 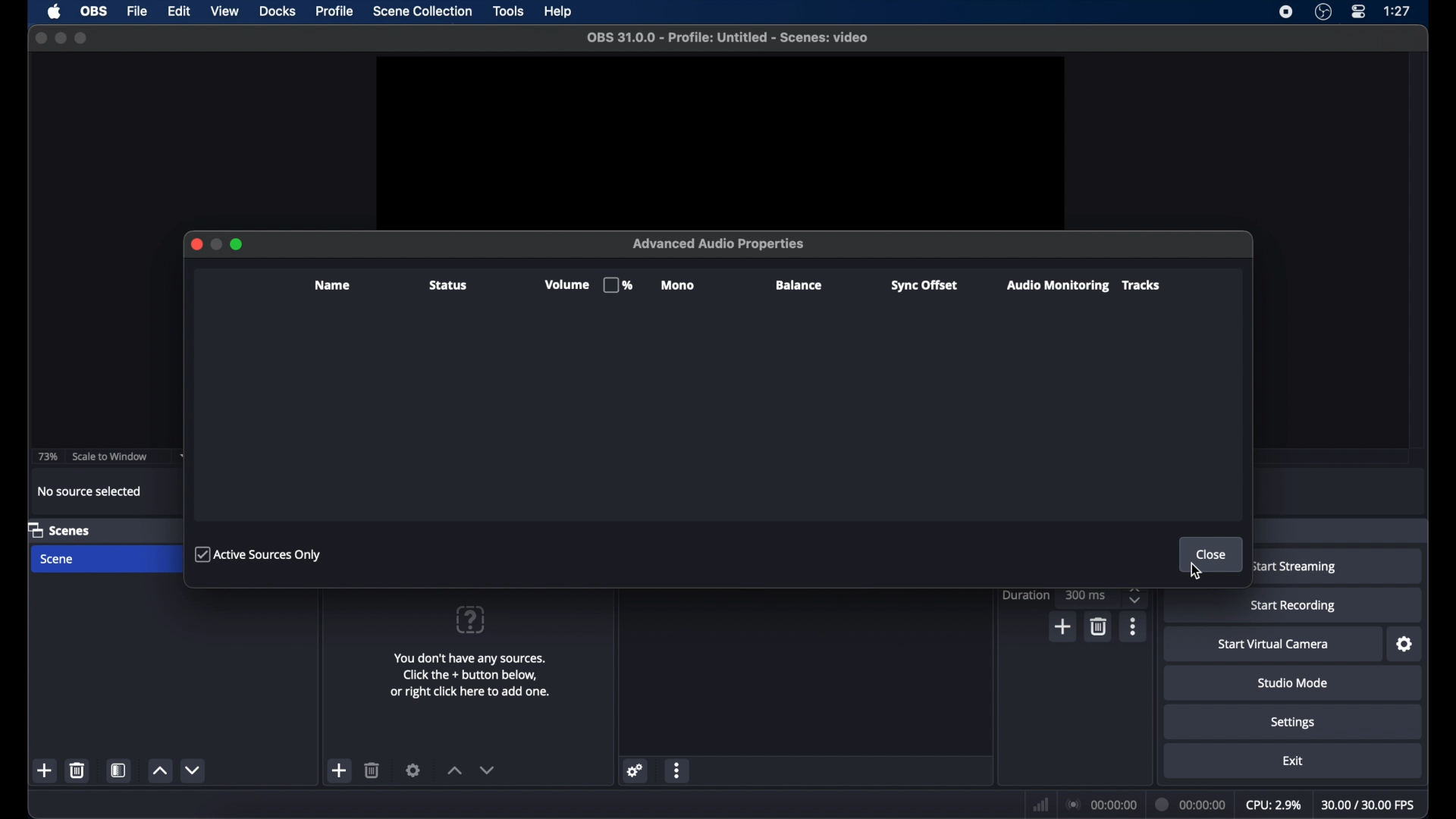 What do you see at coordinates (453, 770) in the screenshot?
I see `increment` at bounding box center [453, 770].